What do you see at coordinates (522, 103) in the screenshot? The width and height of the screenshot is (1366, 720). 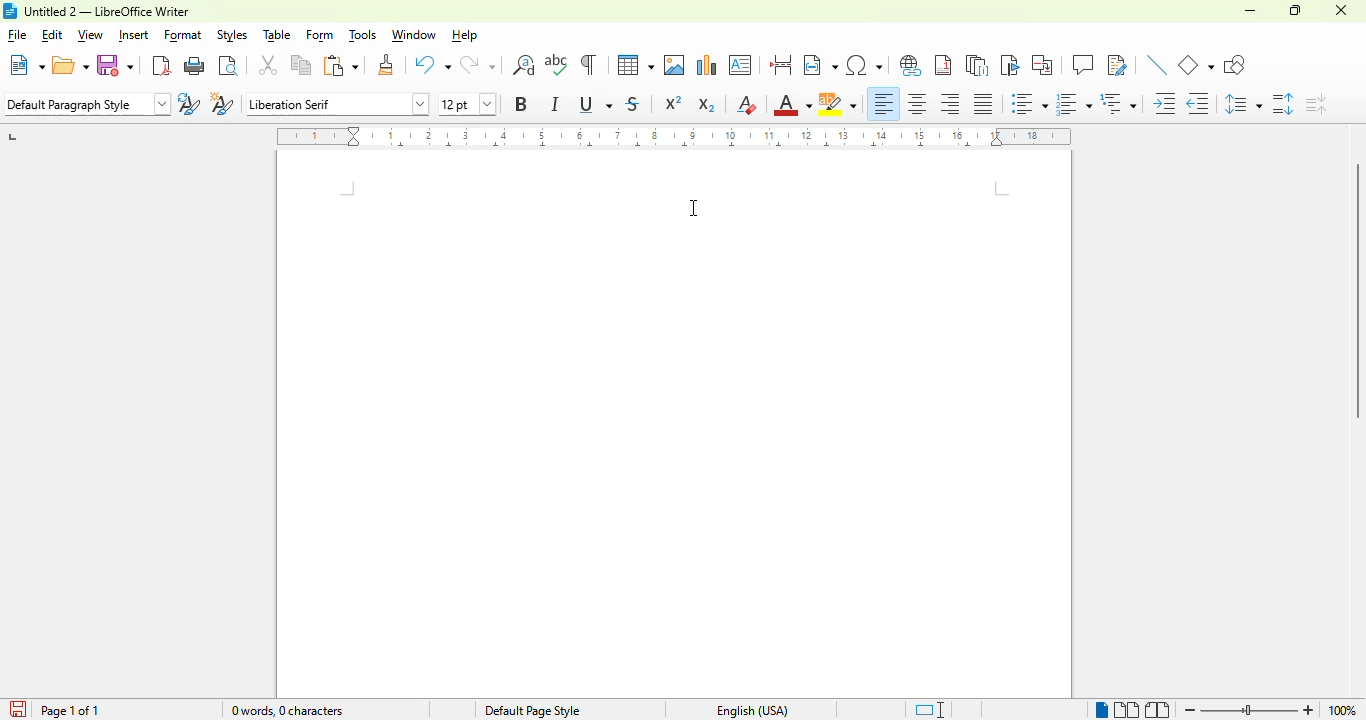 I see `bold` at bounding box center [522, 103].